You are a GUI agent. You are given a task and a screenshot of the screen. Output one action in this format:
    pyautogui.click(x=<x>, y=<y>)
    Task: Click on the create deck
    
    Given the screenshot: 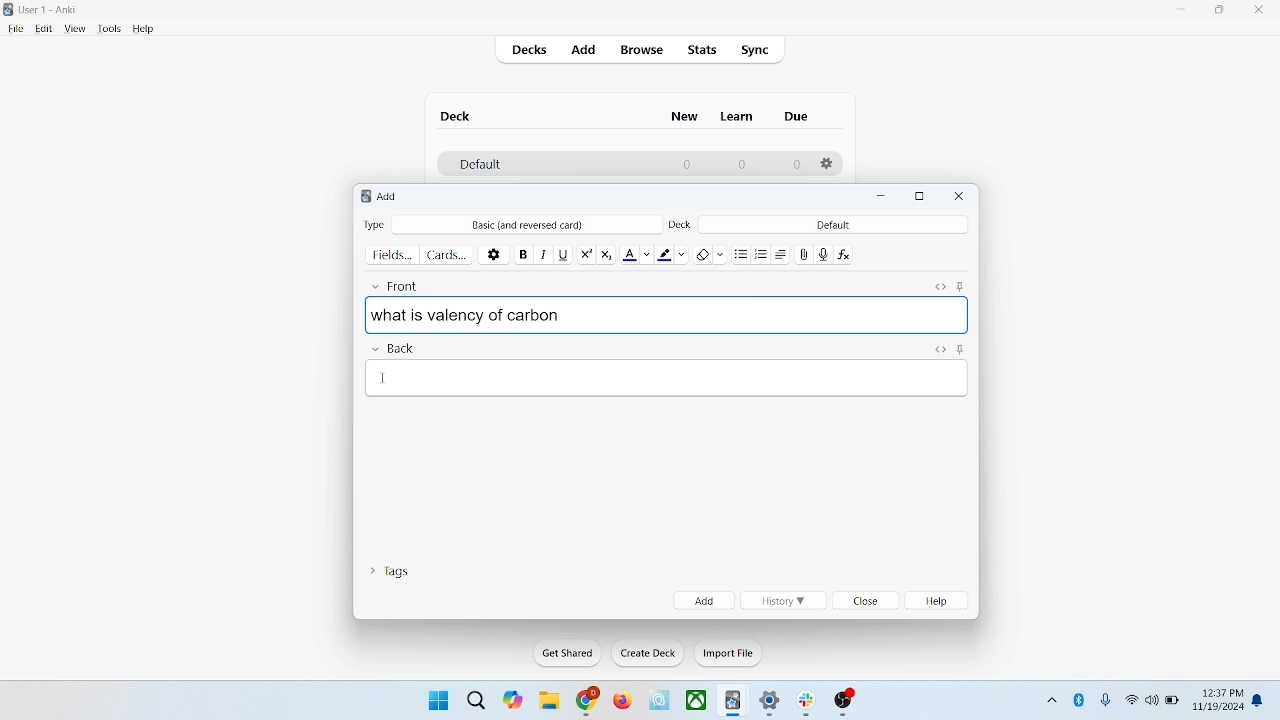 What is the action you would take?
    pyautogui.click(x=649, y=653)
    